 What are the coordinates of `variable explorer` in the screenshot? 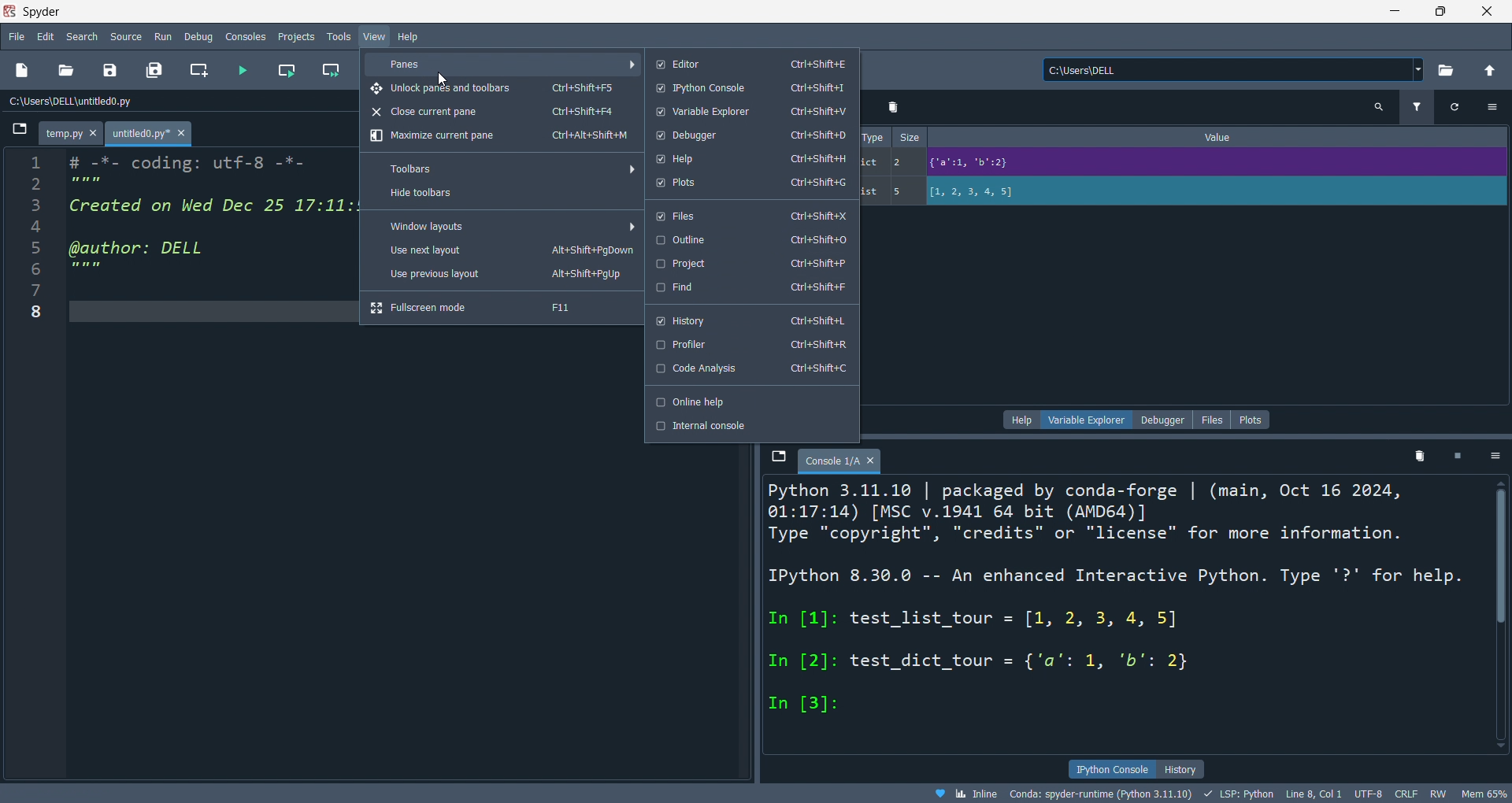 It's located at (1085, 420).